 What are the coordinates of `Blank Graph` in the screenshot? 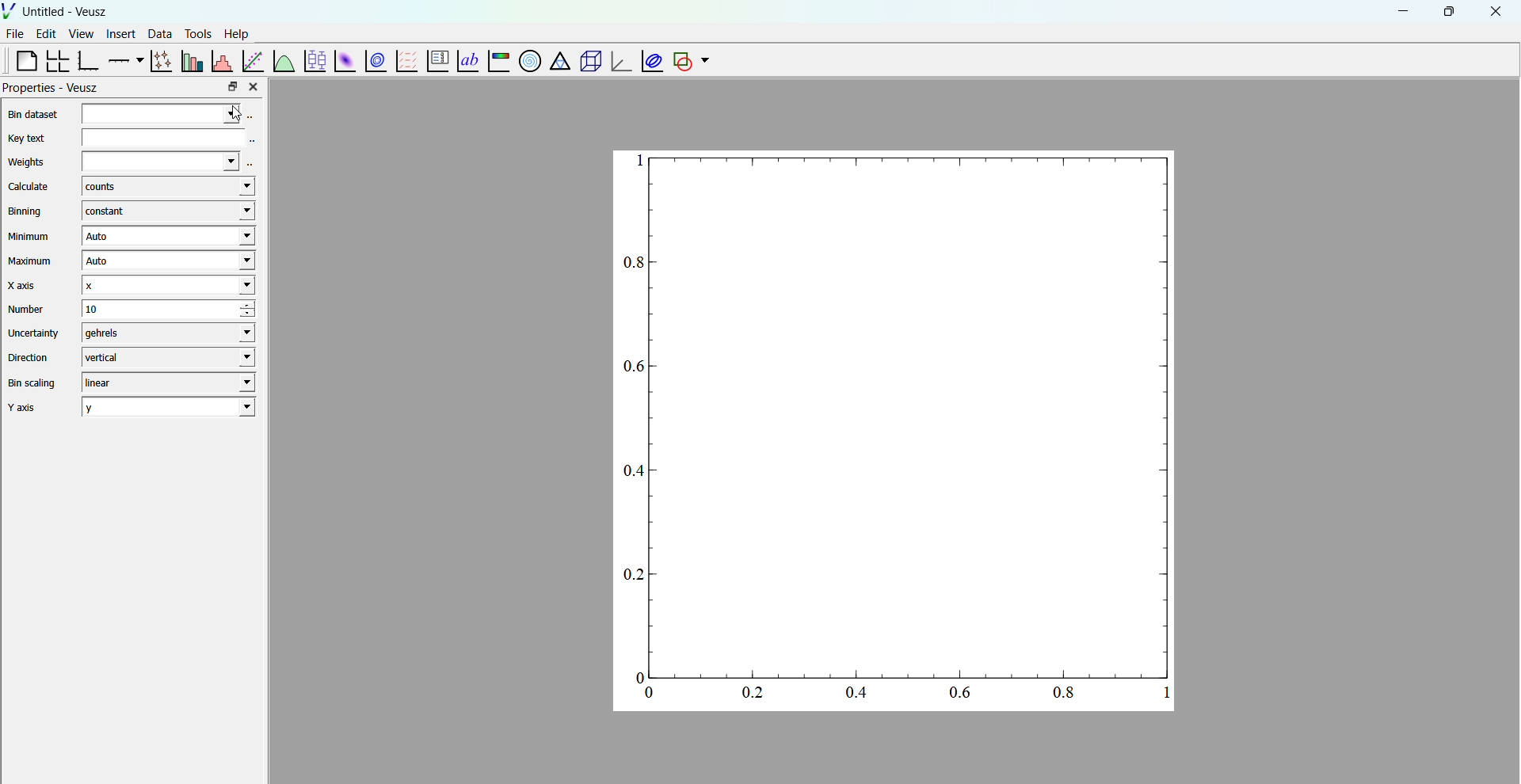 It's located at (913, 413).